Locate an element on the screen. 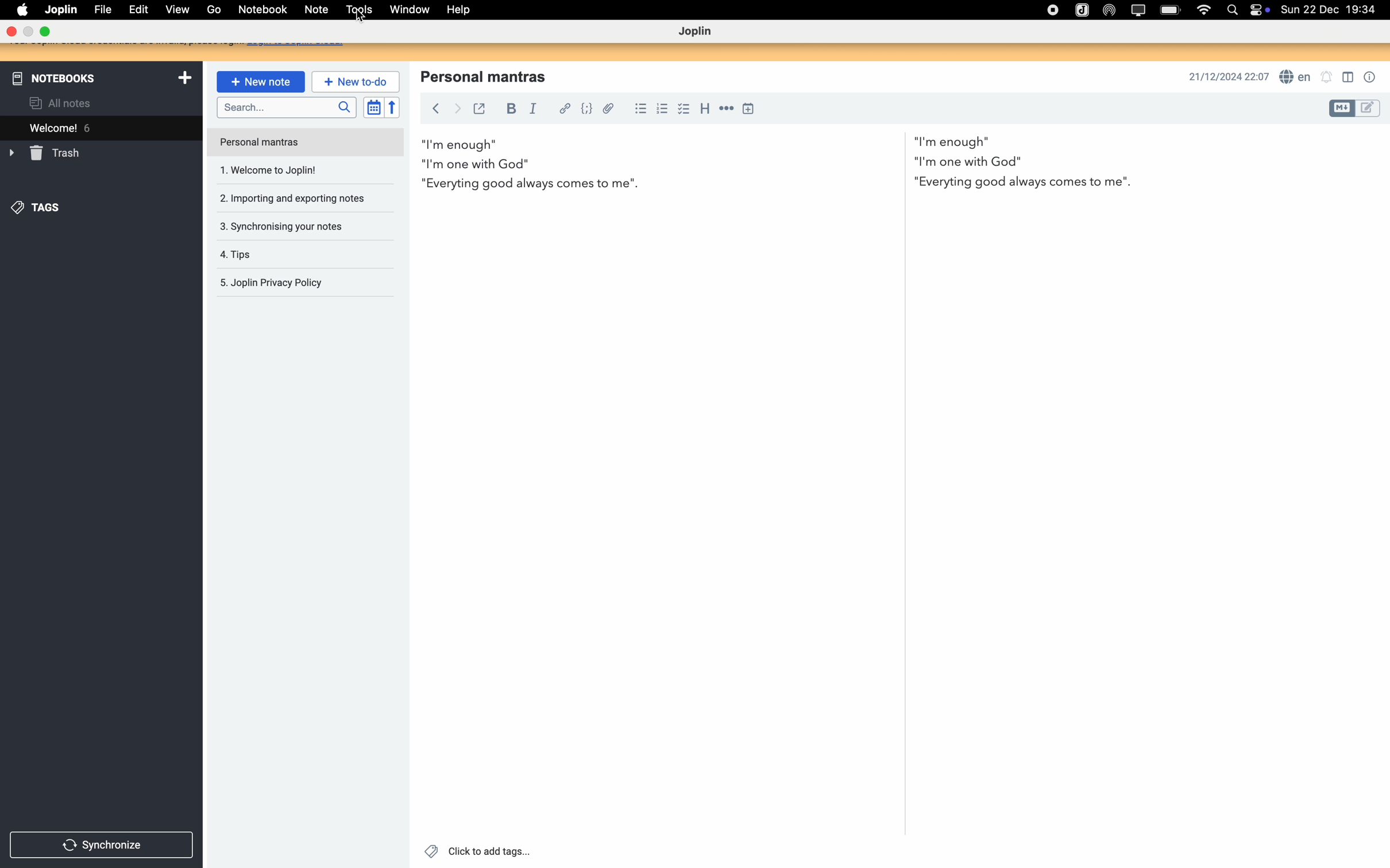  heading is located at coordinates (706, 108).